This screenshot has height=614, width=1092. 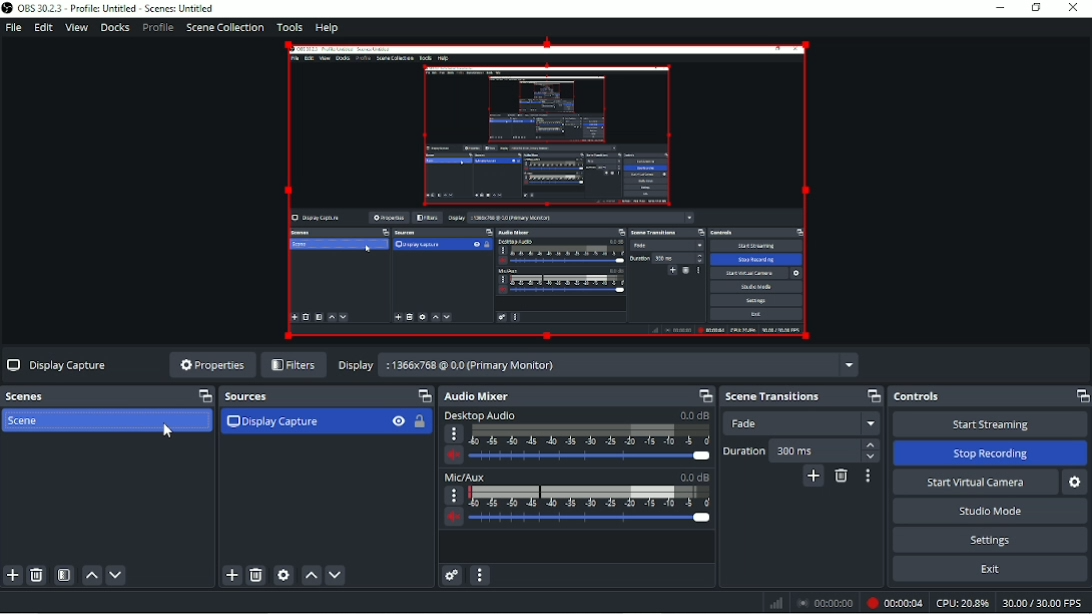 What do you see at coordinates (27, 420) in the screenshot?
I see `Scene` at bounding box center [27, 420].